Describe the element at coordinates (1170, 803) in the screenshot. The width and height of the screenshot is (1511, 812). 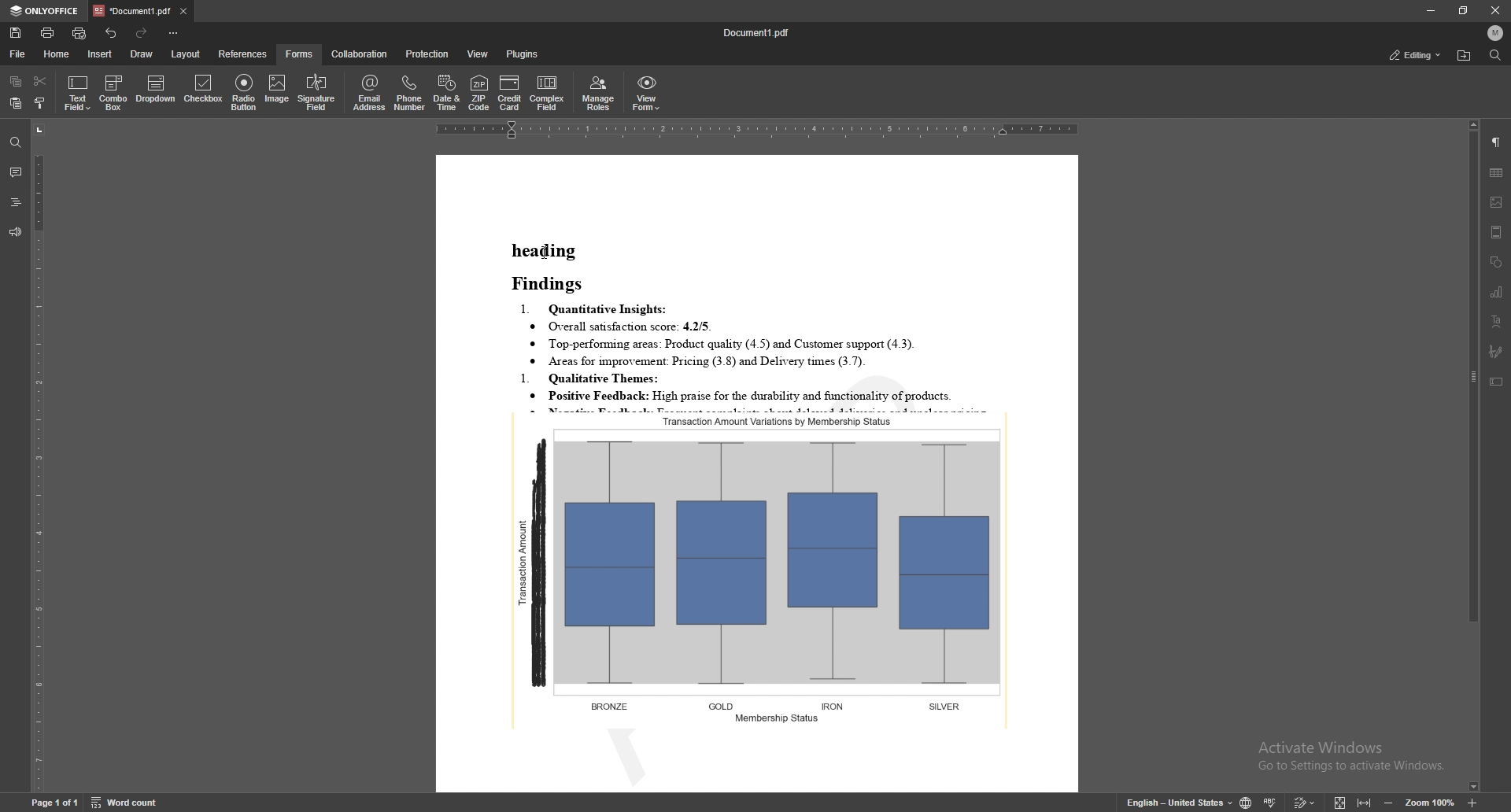
I see `English- United kingdom` at that location.